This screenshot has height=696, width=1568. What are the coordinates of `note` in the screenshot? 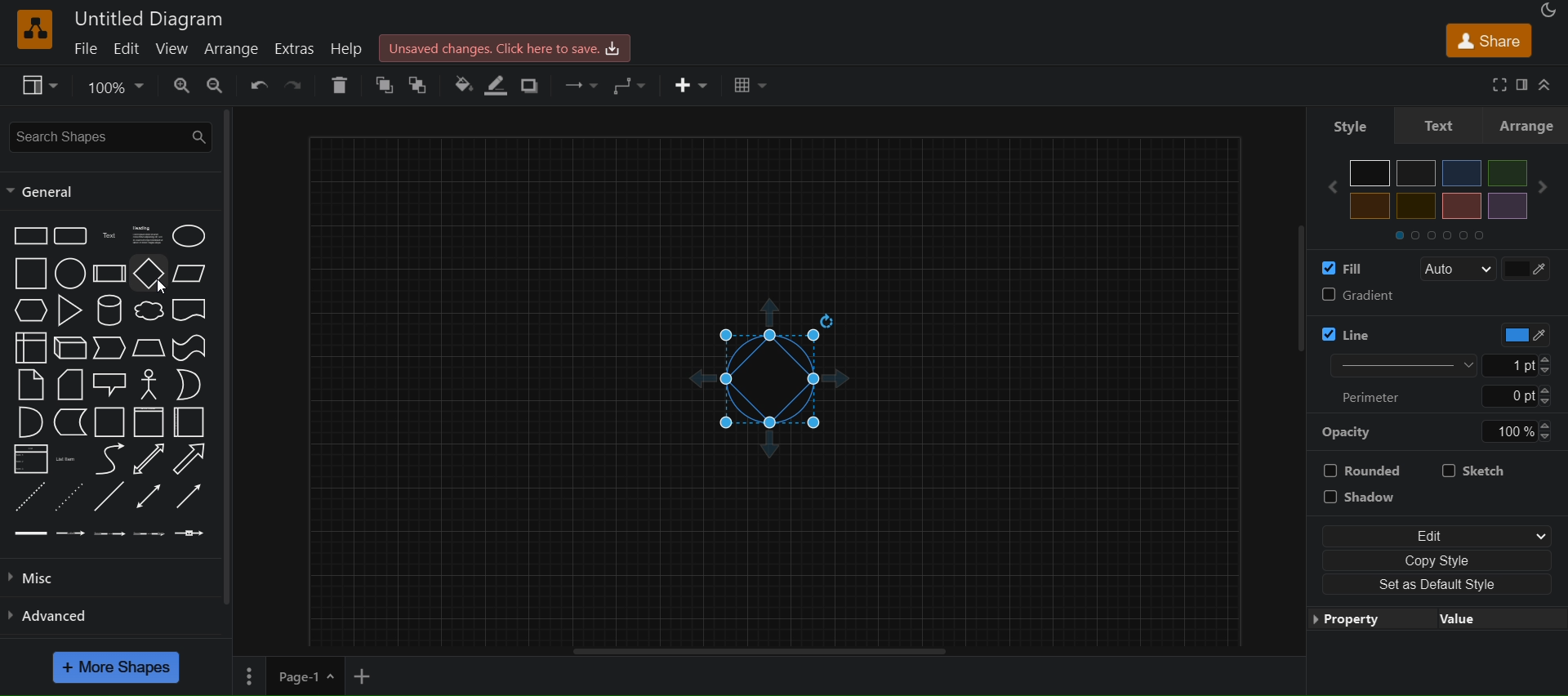 It's located at (29, 384).